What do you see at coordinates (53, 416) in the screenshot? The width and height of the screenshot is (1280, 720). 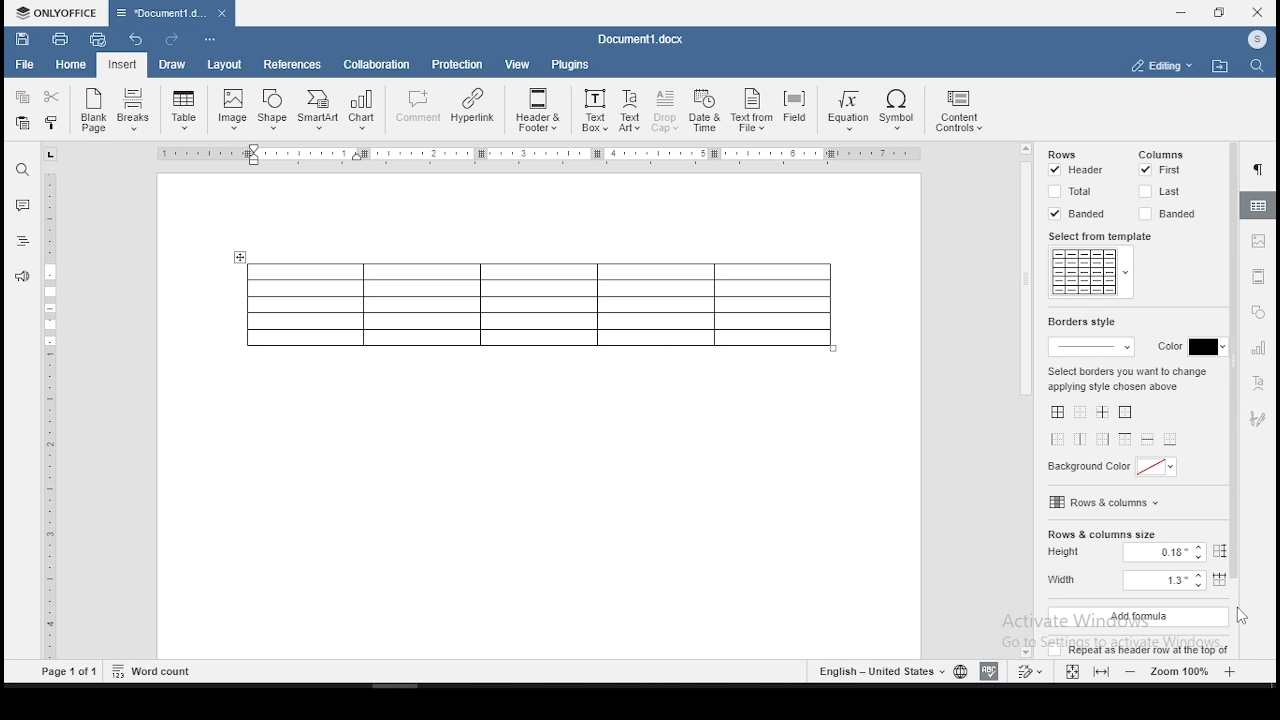 I see `ruler` at bounding box center [53, 416].